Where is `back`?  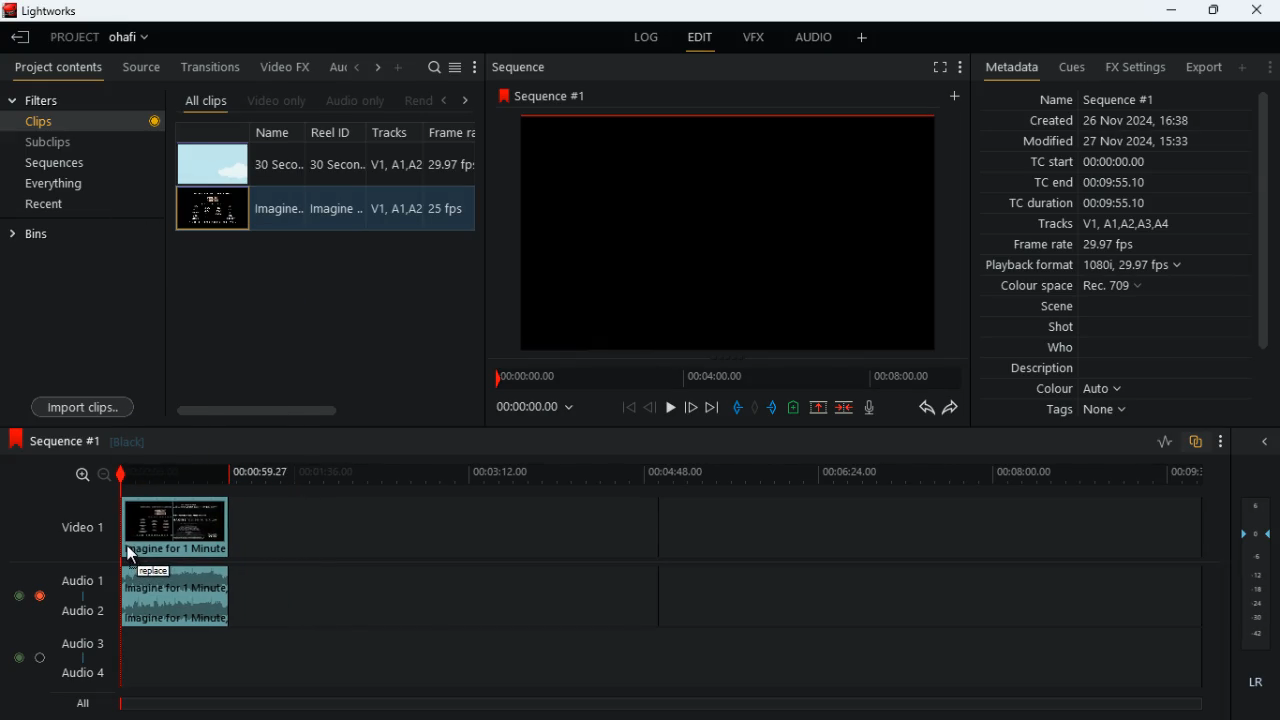
back is located at coordinates (21, 38).